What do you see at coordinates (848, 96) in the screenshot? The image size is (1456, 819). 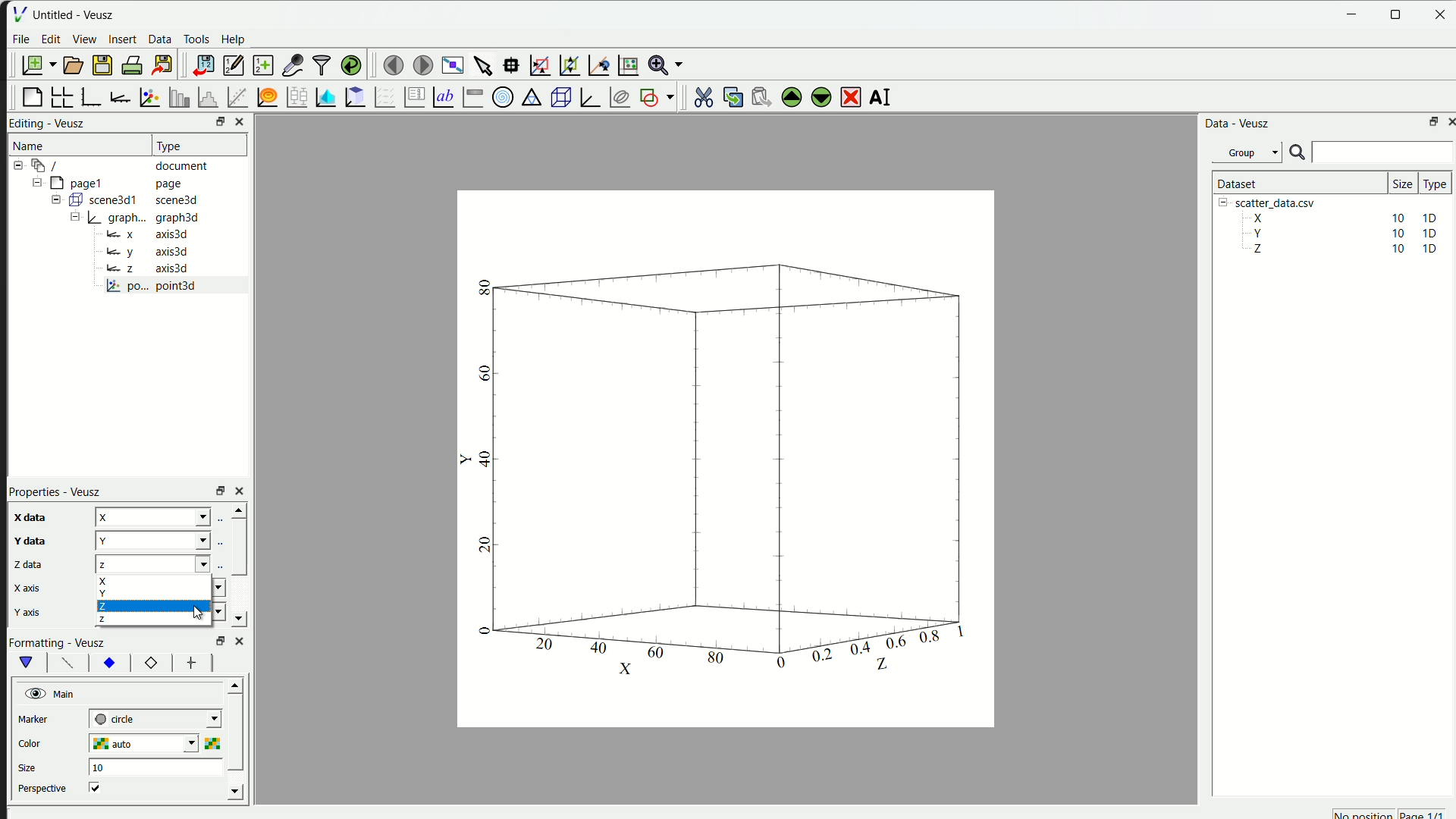 I see `remove the selected widget` at bounding box center [848, 96].